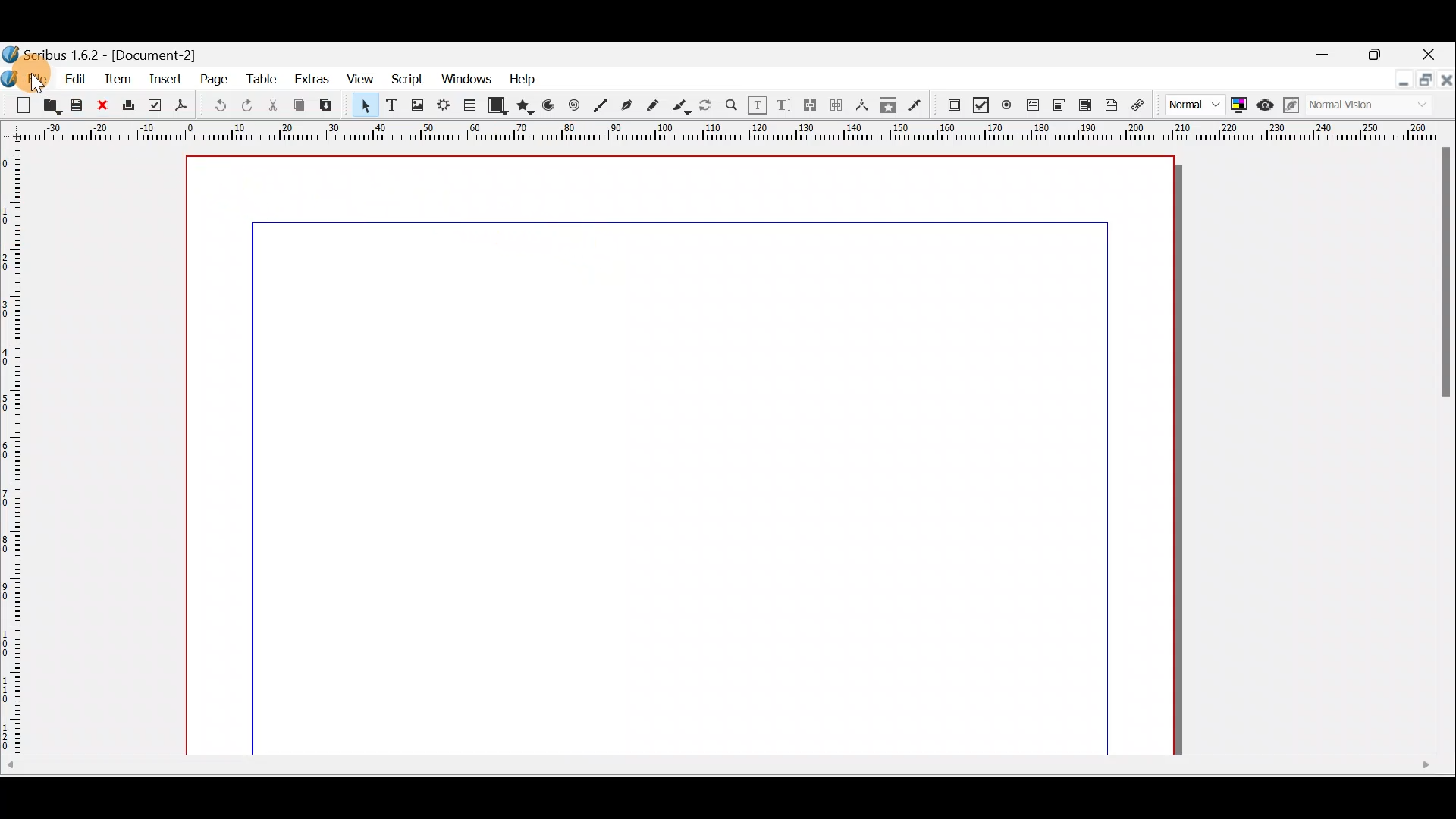 Image resolution: width=1456 pixels, height=819 pixels. Describe the element at coordinates (220, 106) in the screenshot. I see `Undo` at that location.